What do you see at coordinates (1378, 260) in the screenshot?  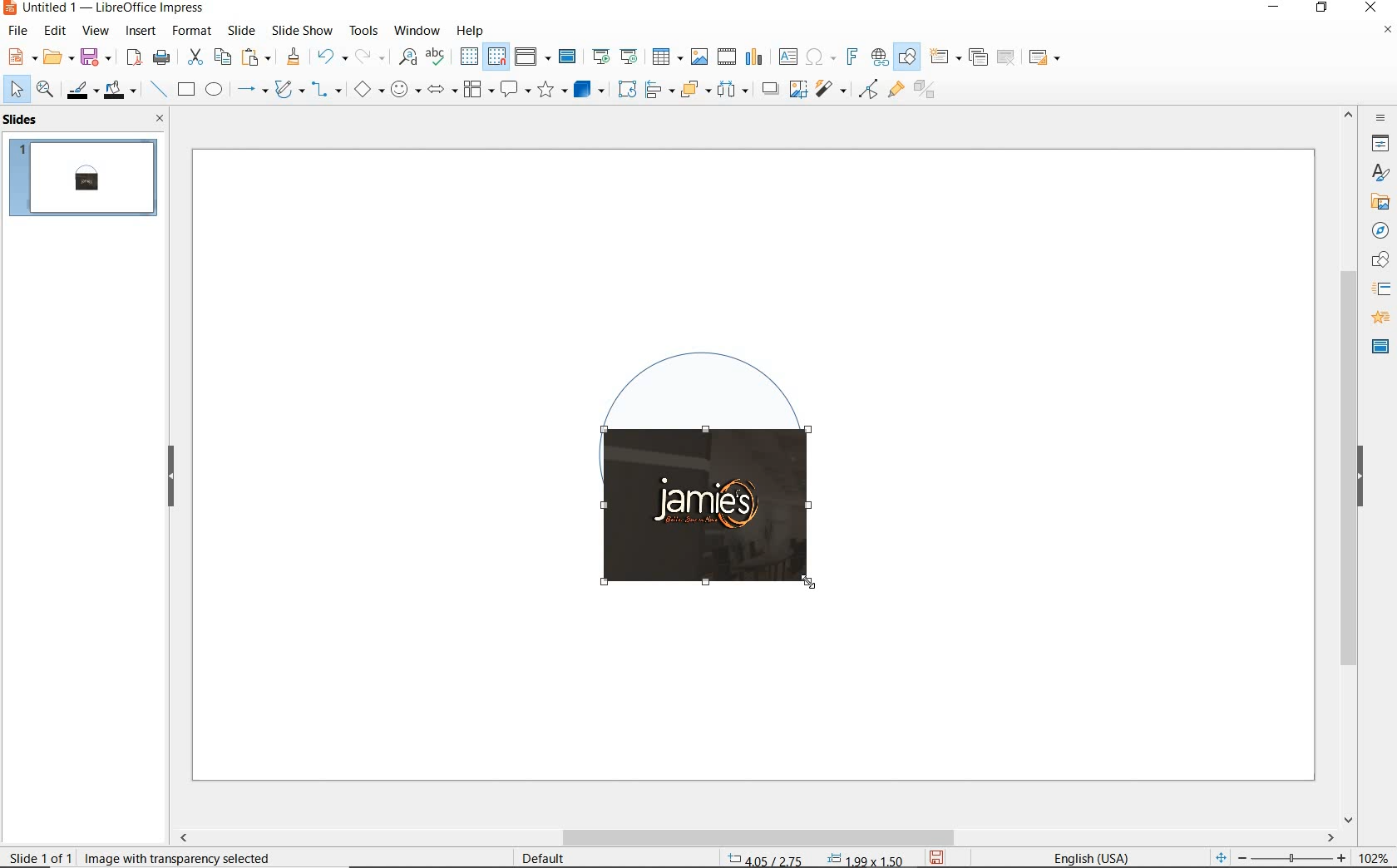 I see `shapes` at bounding box center [1378, 260].